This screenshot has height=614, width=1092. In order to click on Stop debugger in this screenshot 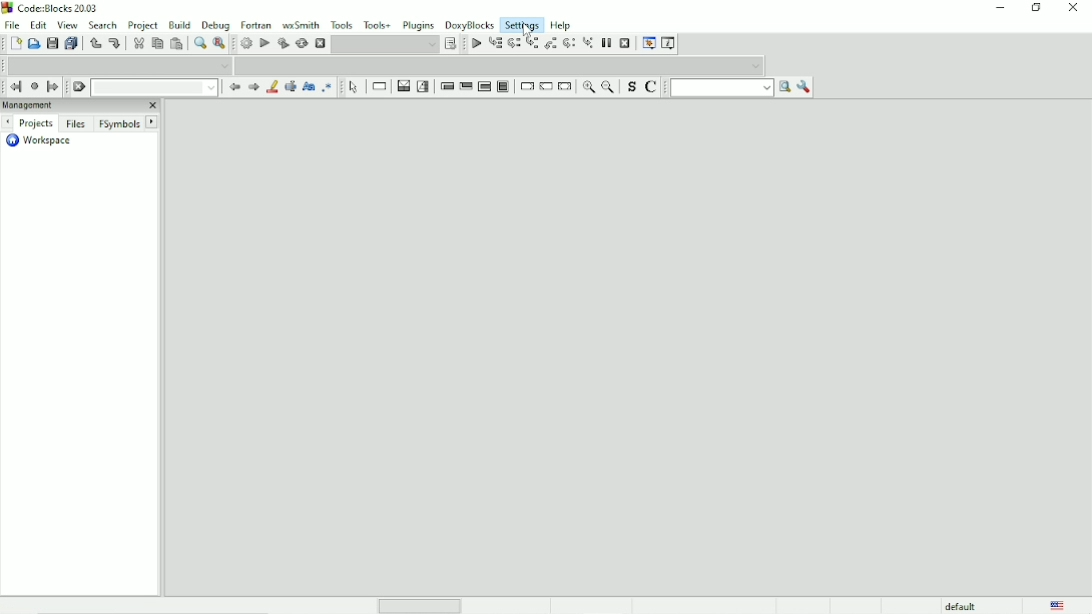, I will do `click(624, 43)`.